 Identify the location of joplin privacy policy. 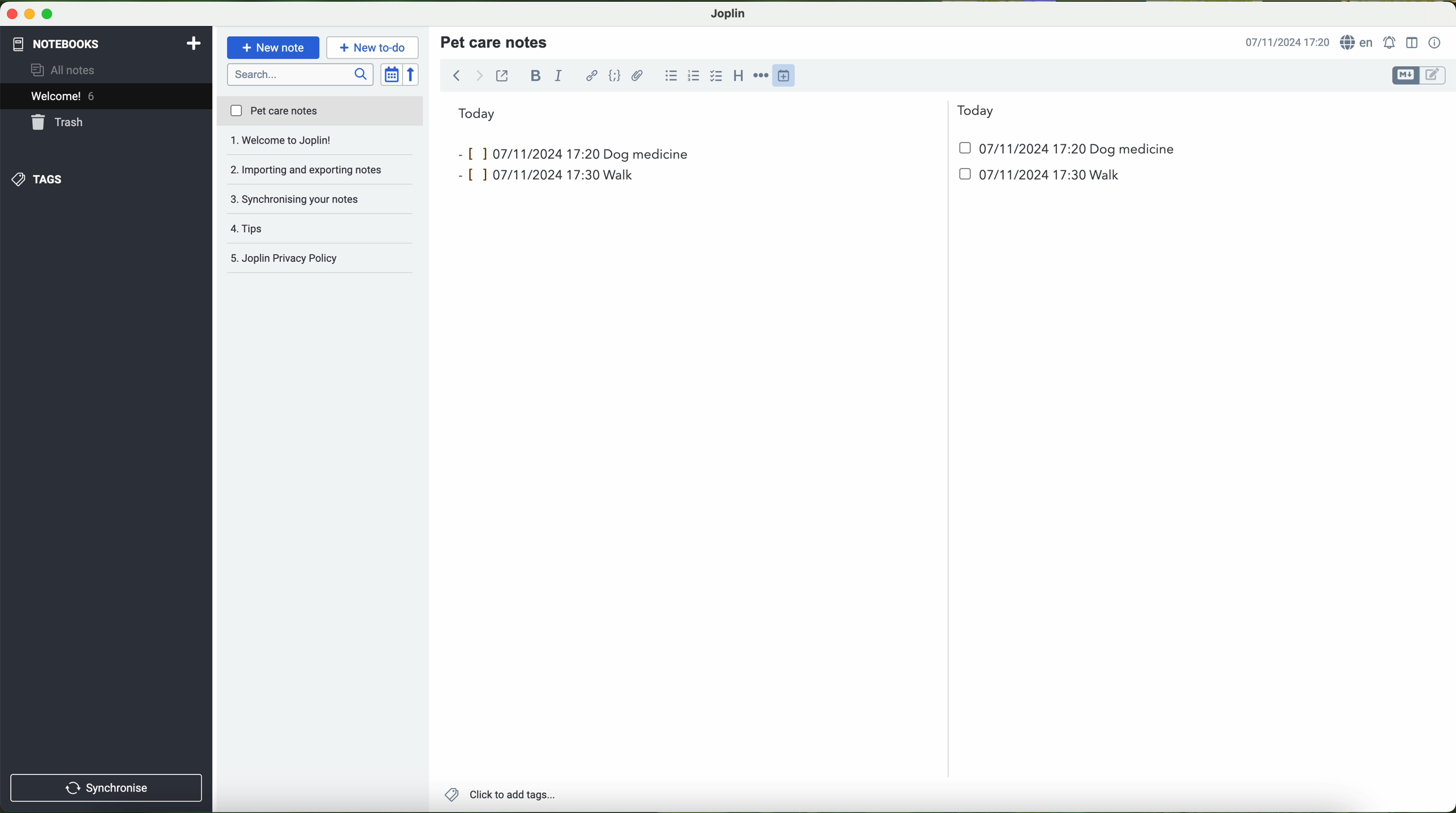
(314, 260).